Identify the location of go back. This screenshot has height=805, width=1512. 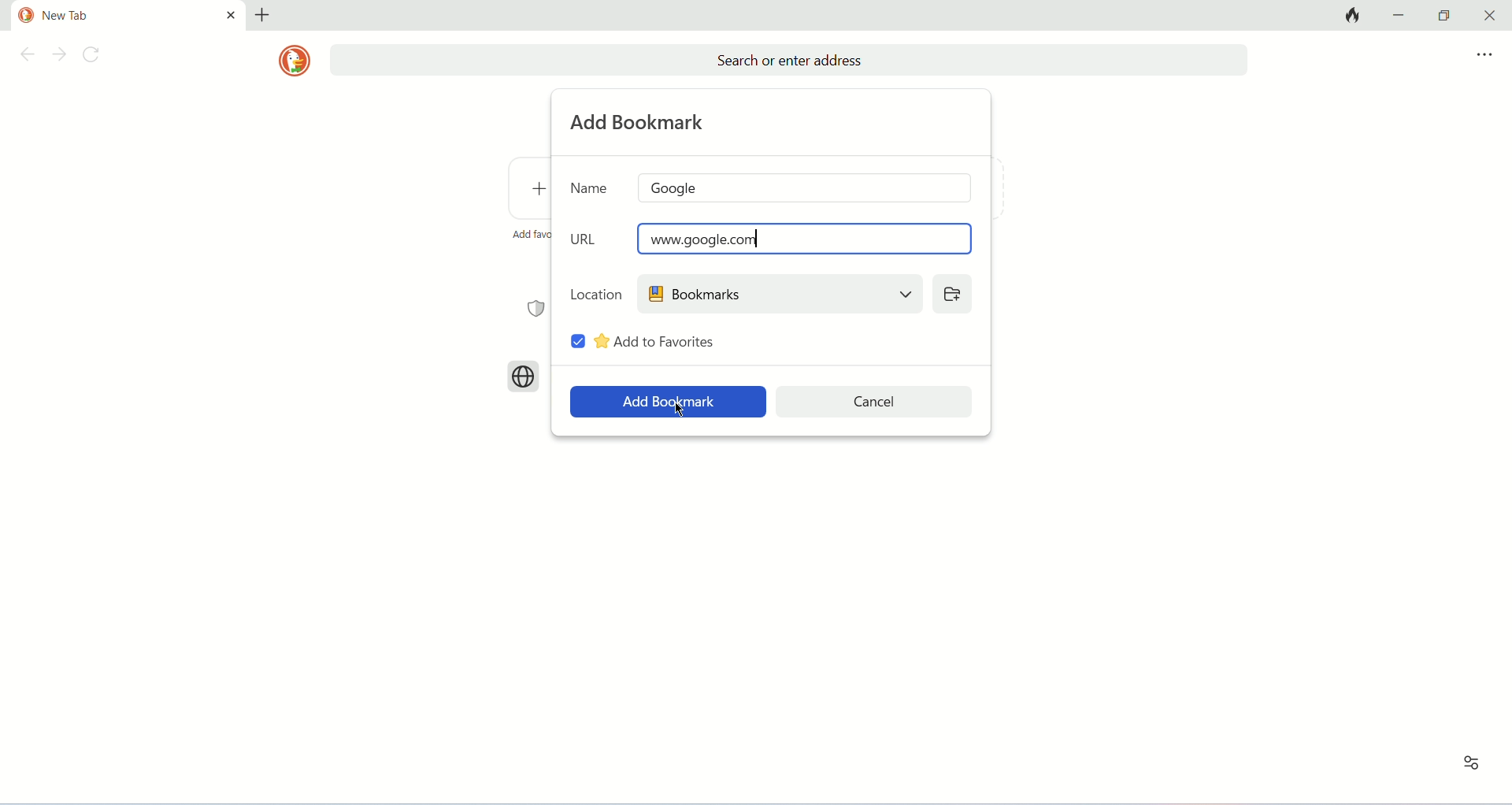
(24, 57).